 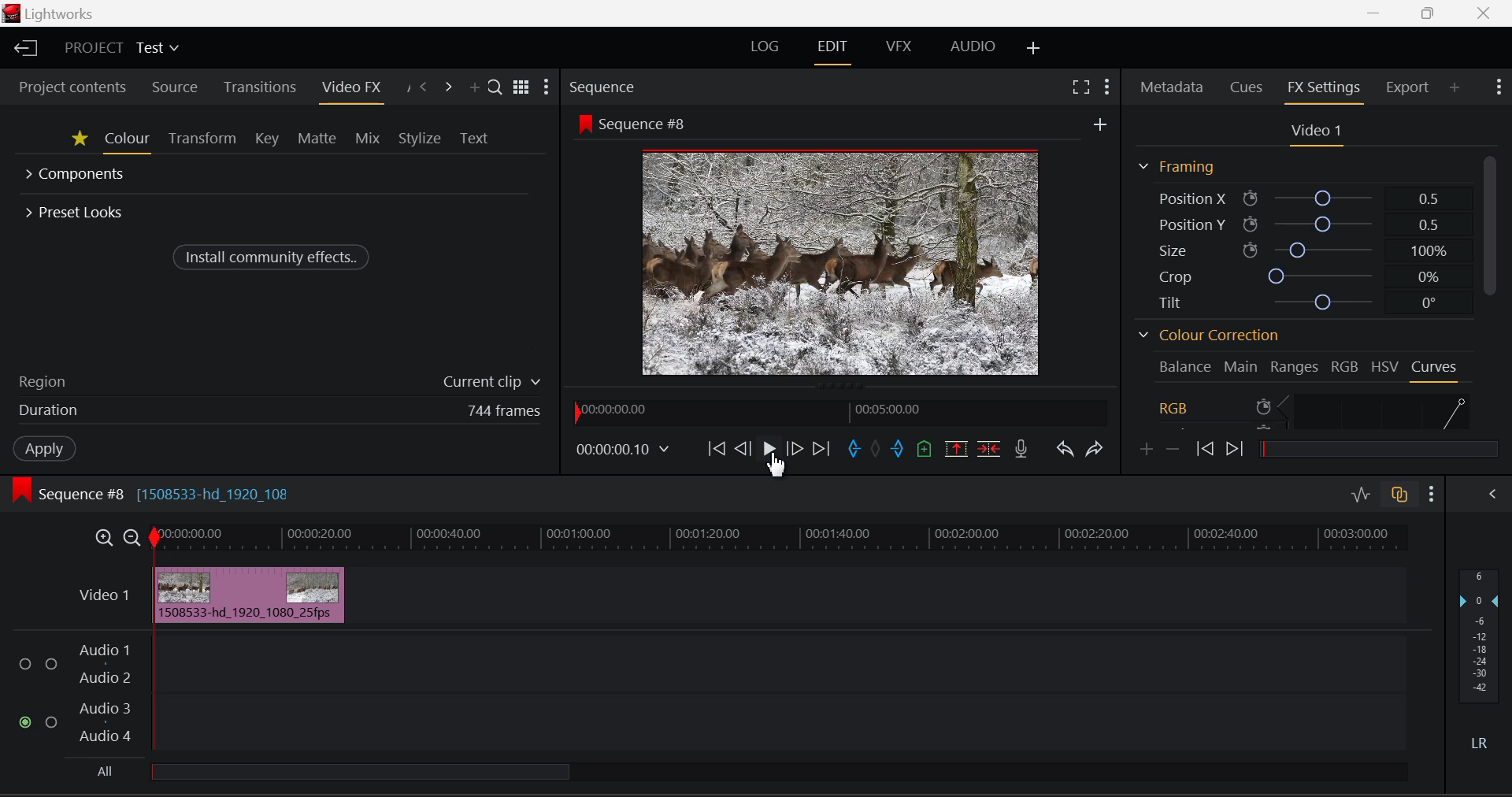 I want to click on Mark Out, so click(x=898, y=449).